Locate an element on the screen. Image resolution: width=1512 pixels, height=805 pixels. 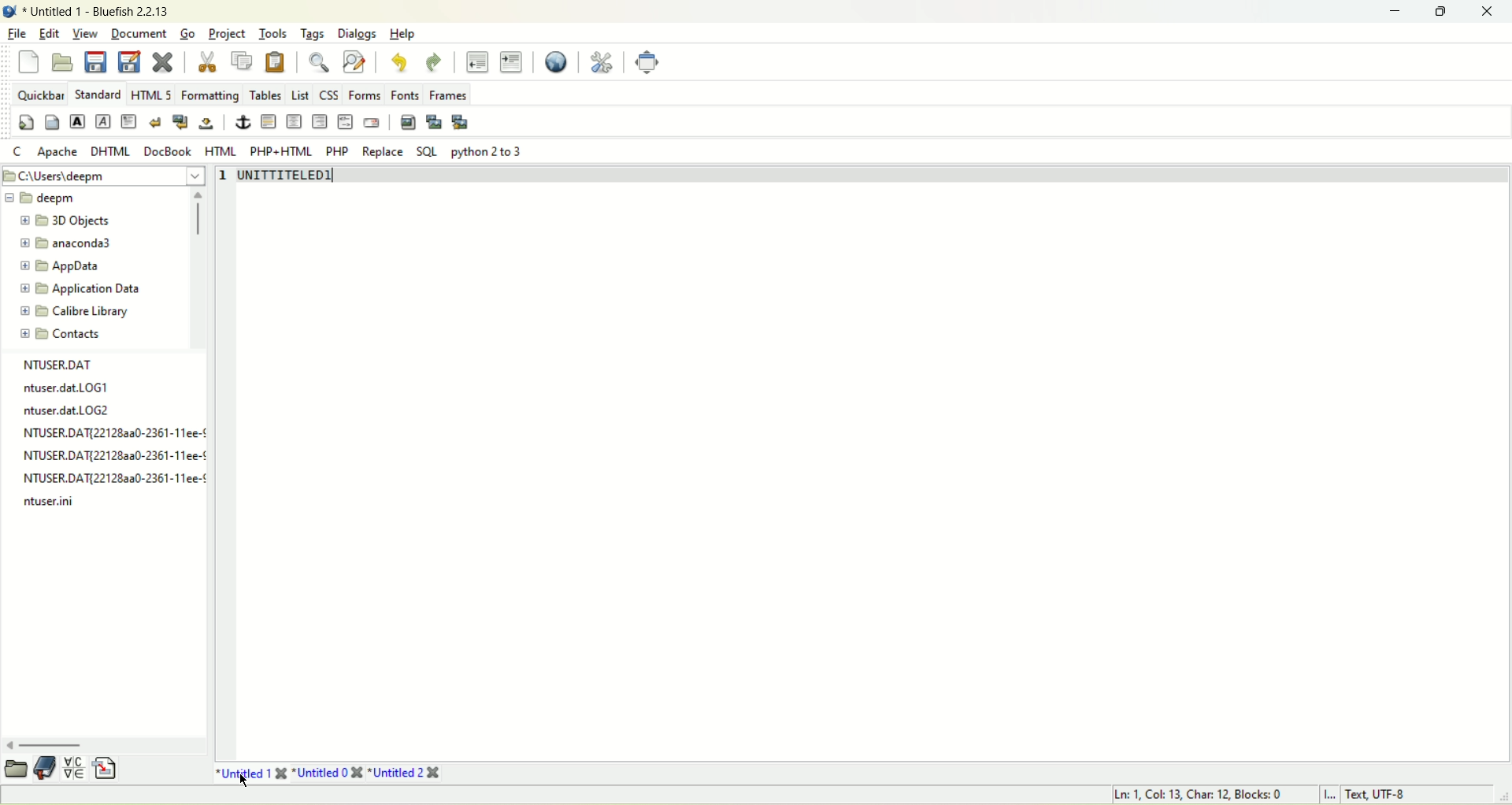
save file as  is located at coordinates (128, 63).